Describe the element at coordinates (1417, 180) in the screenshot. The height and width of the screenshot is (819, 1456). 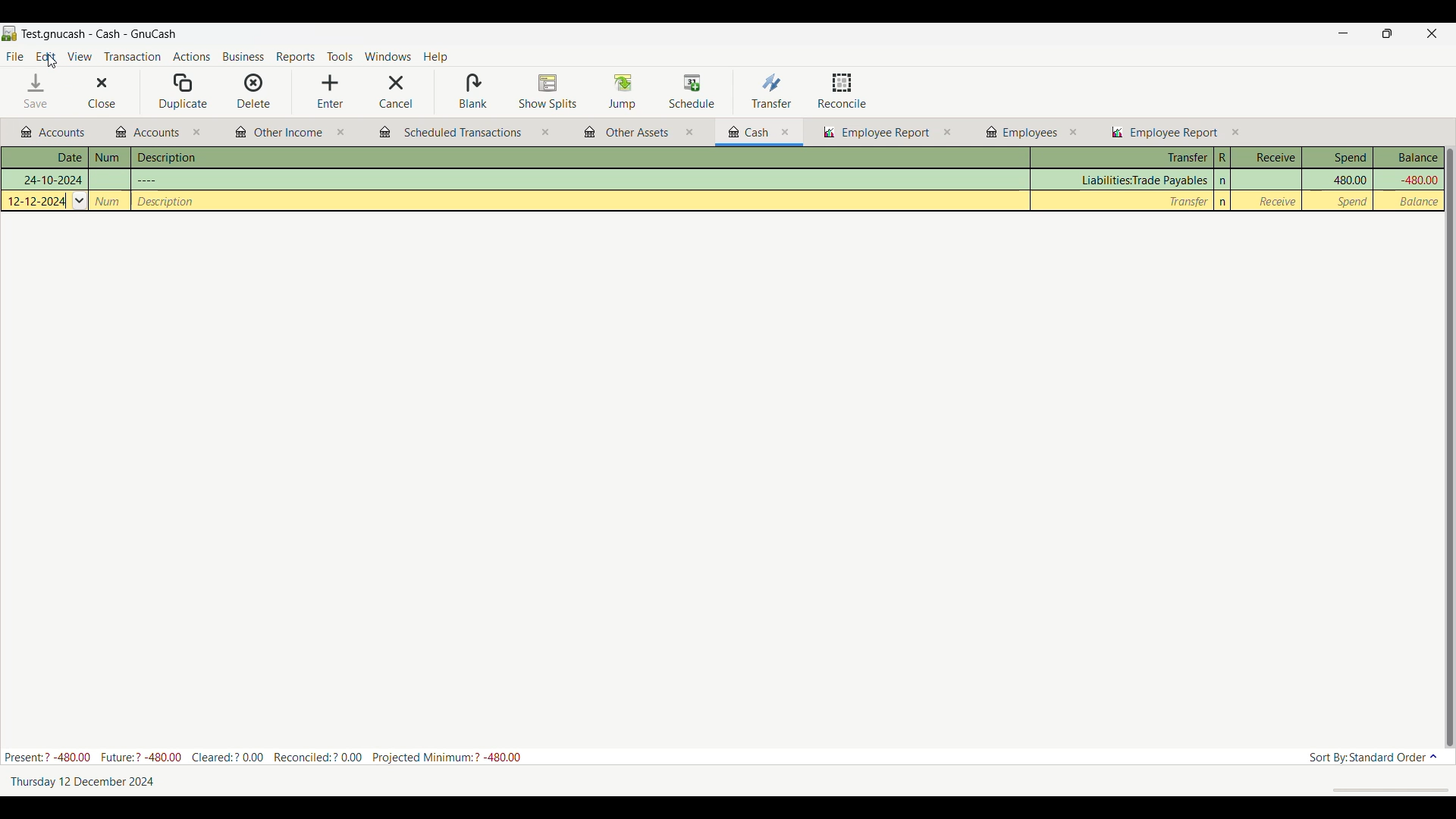
I see `Balance column` at that location.